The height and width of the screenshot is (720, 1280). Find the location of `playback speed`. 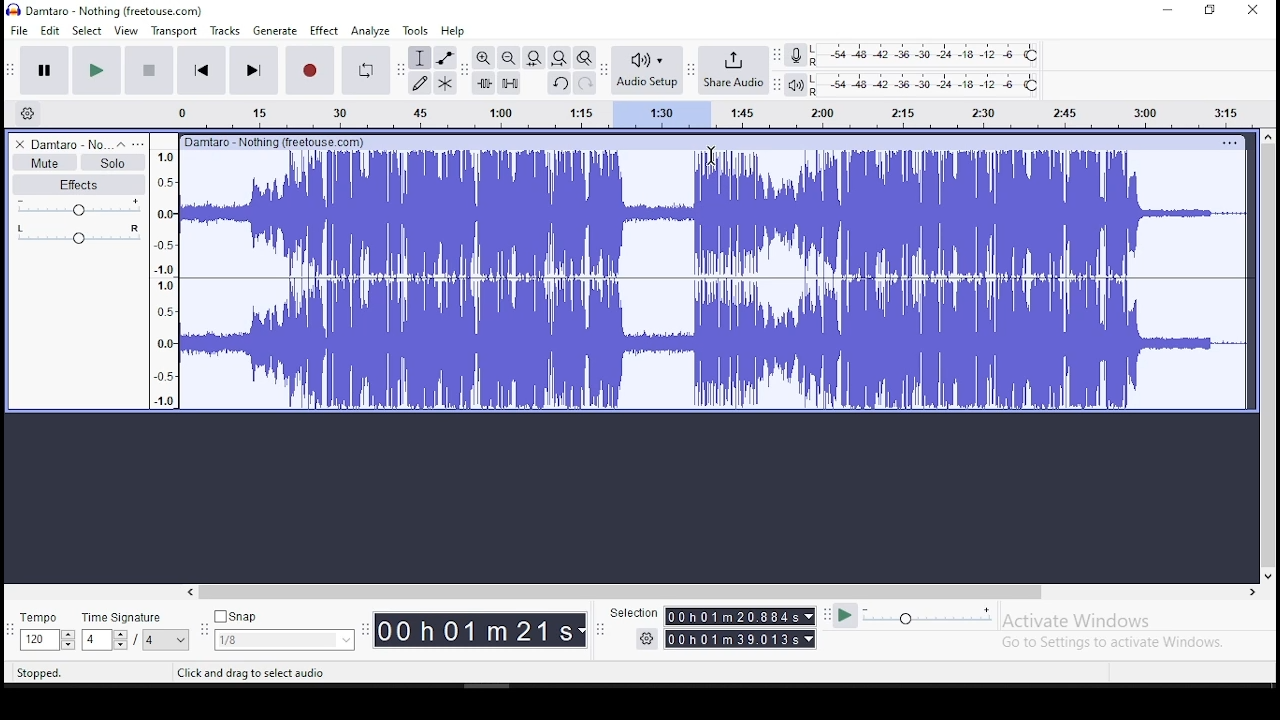

playback speed is located at coordinates (929, 615).